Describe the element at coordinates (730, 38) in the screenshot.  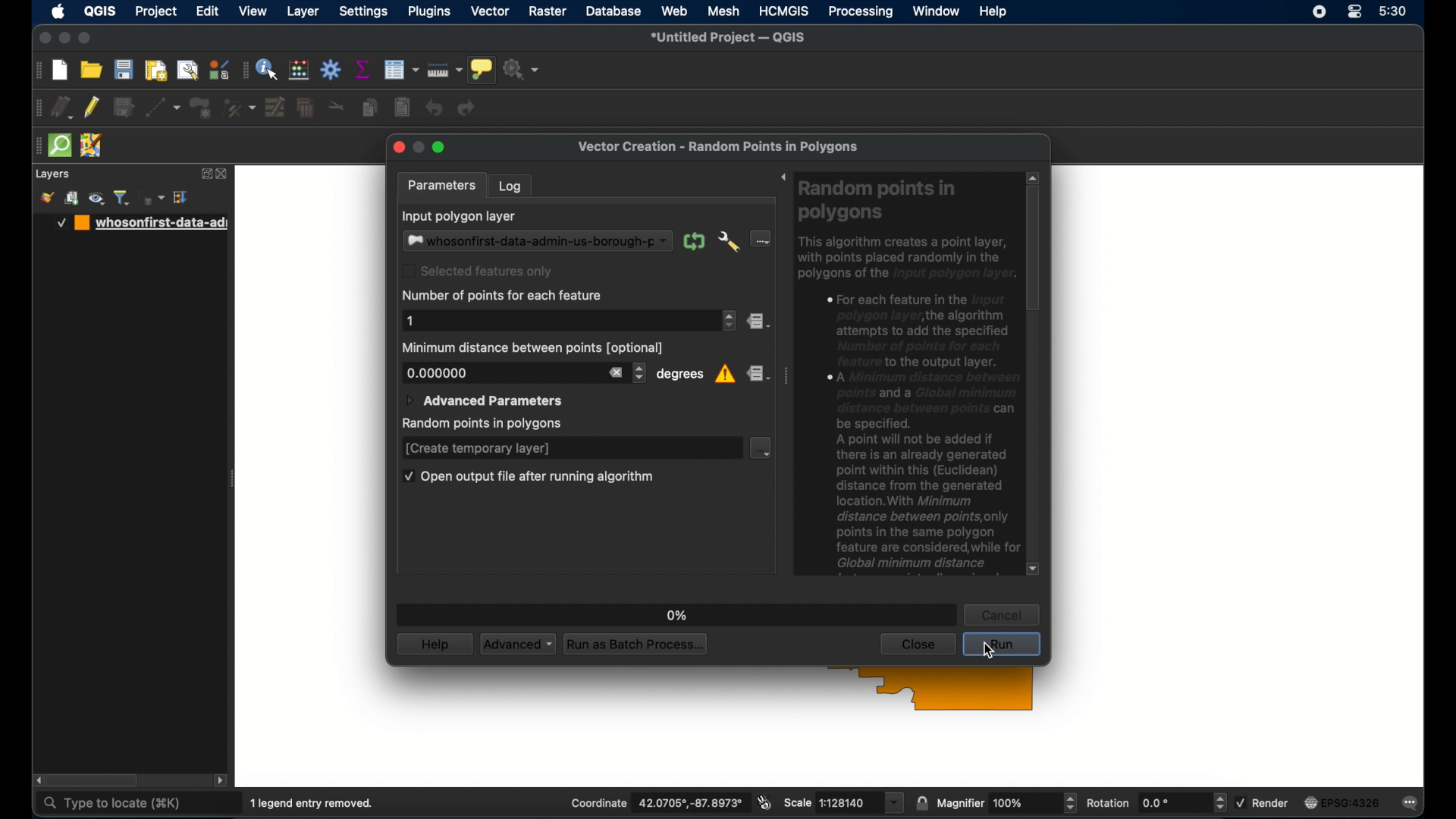
I see `untitled project` at that location.